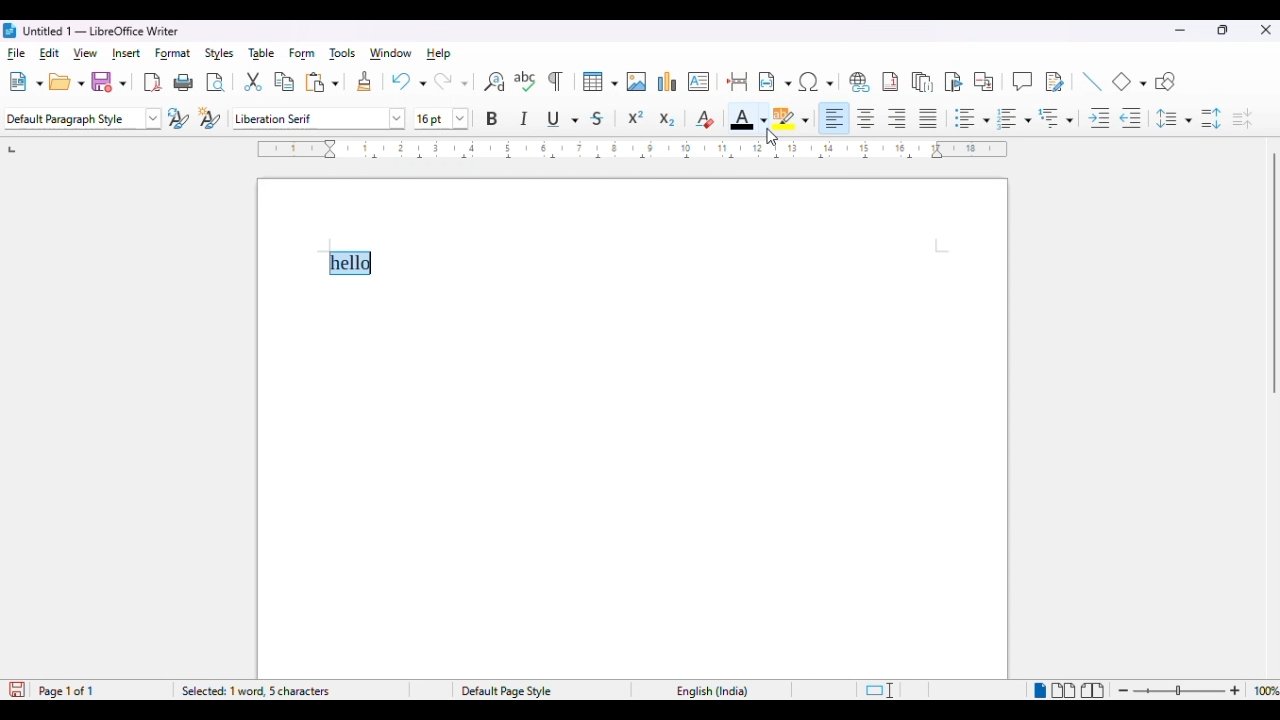  What do you see at coordinates (524, 117) in the screenshot?
I see `italic` at bounding box center [524, 117].